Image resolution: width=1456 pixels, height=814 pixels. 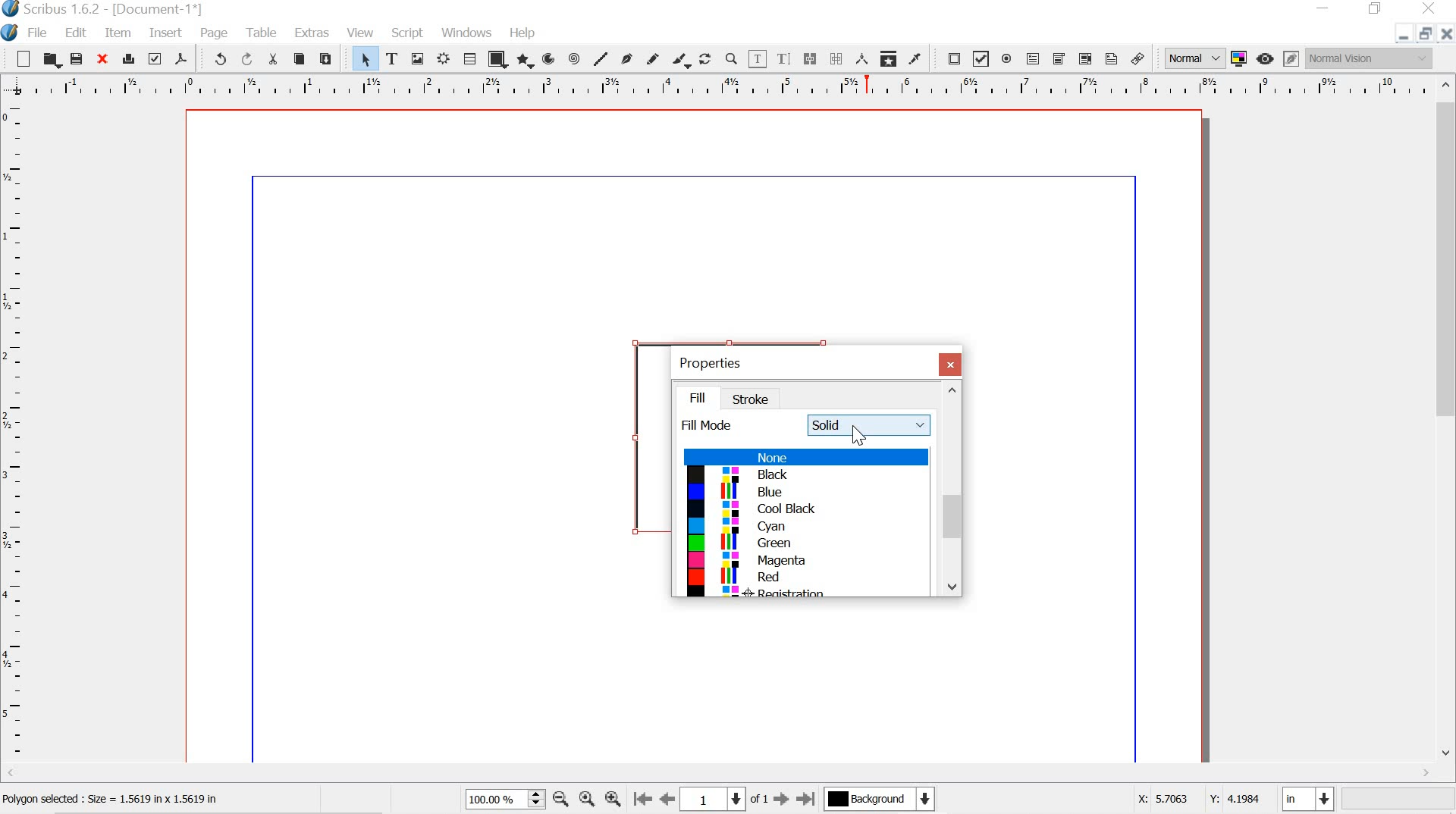 What do you see at coordinates (10, 31) in the screenshot?
I see `logo` at bounding box center [10, 31].